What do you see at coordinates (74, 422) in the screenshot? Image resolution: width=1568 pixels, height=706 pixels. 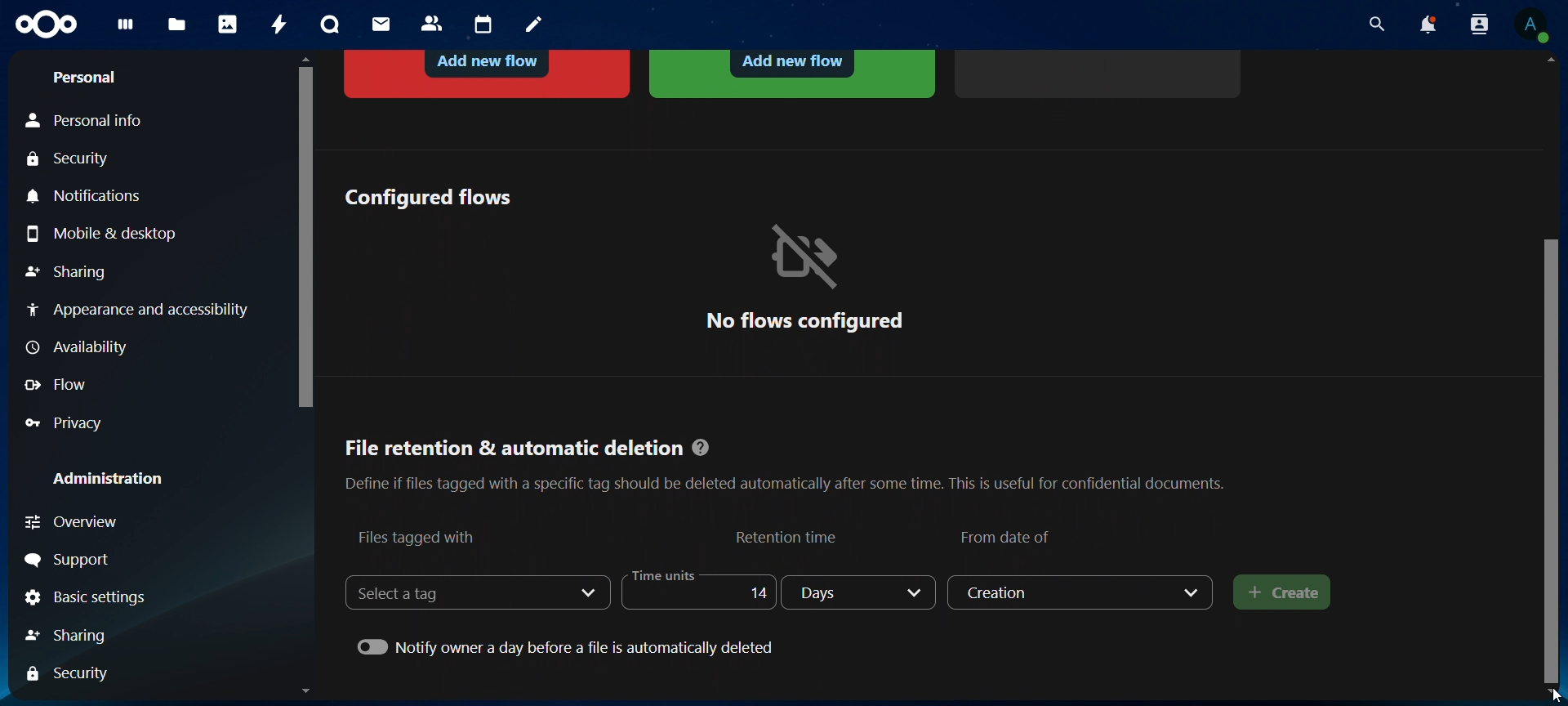 I see `privacy` at bounding box center [74, 422].